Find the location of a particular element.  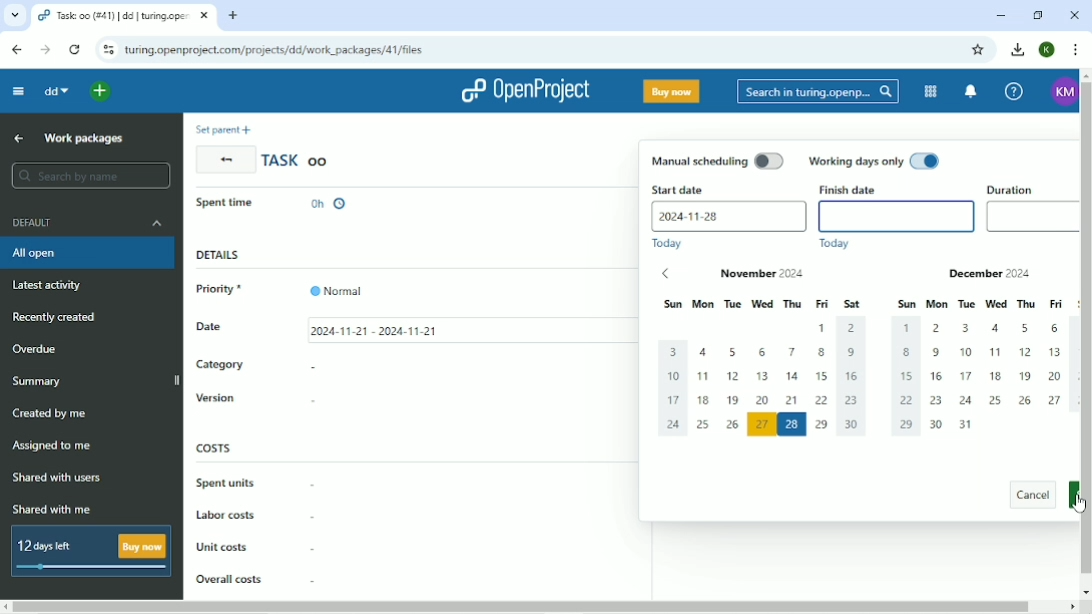

Search tab is located at coordinates (13, 15).